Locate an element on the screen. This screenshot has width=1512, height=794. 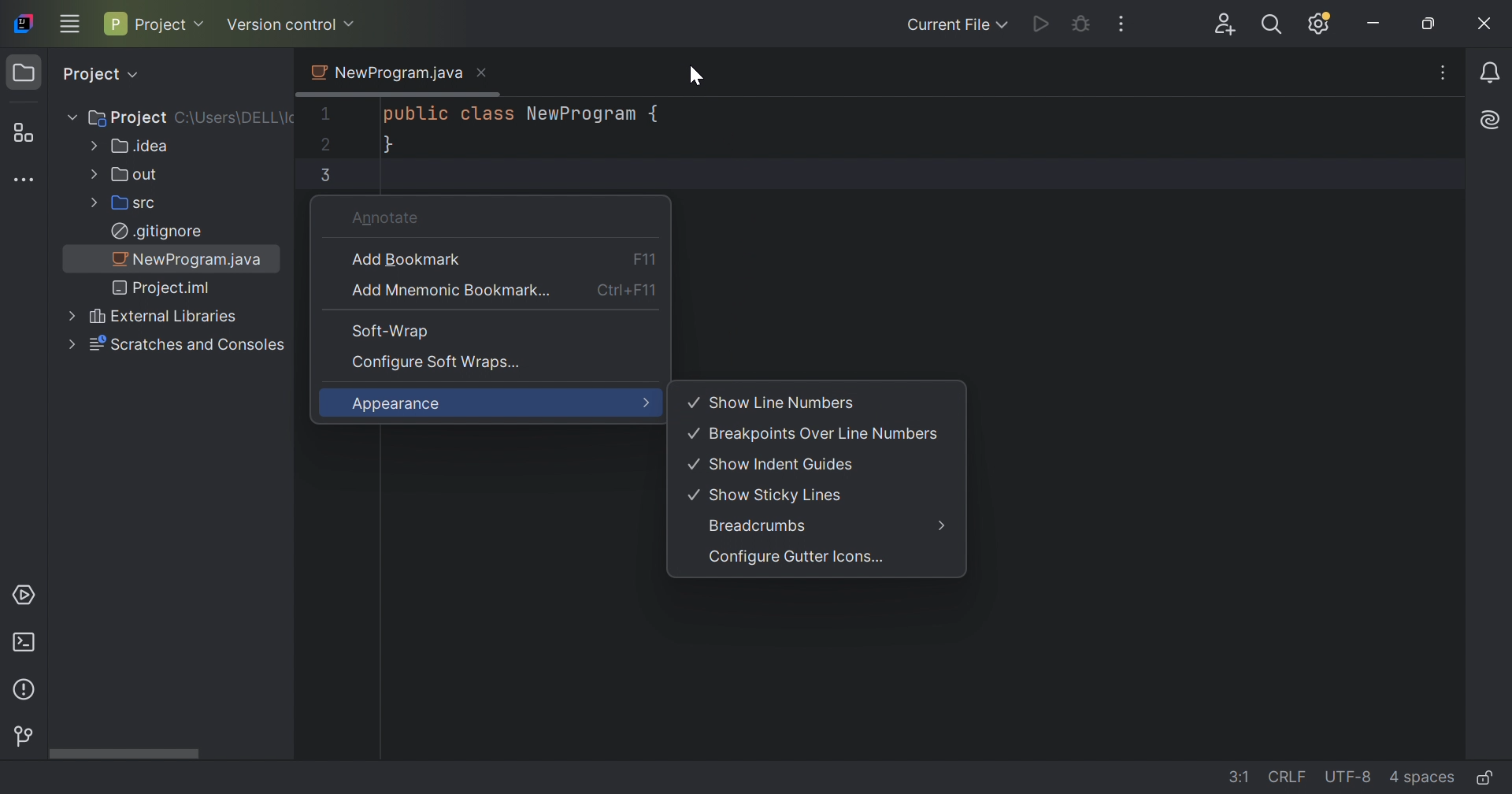
Idea is located at coordinates (140, 146).